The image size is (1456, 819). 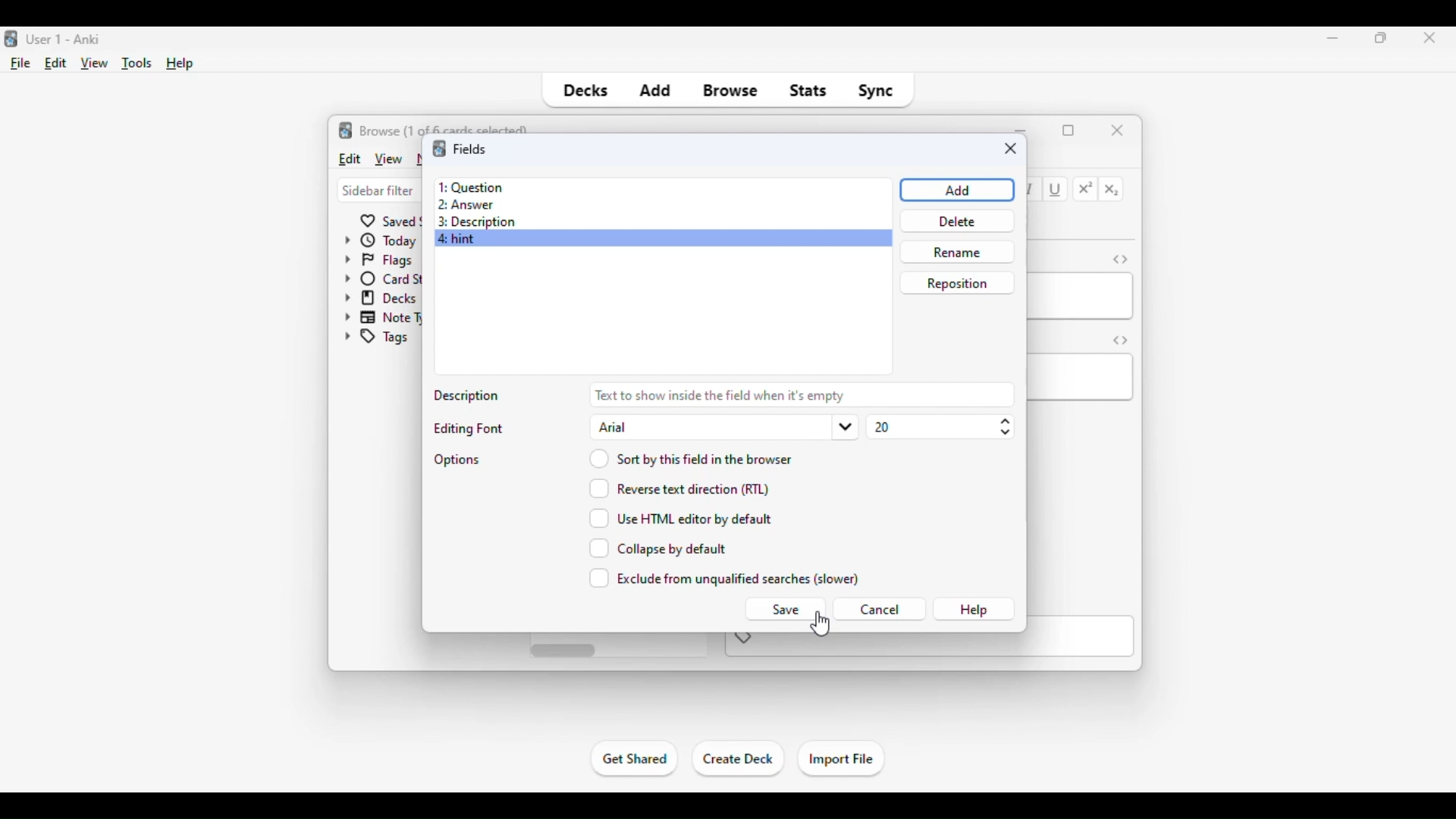 What do you see at coordinates (65, 39) in the screenshot?
I see `title` at bounding box center [65, 39].